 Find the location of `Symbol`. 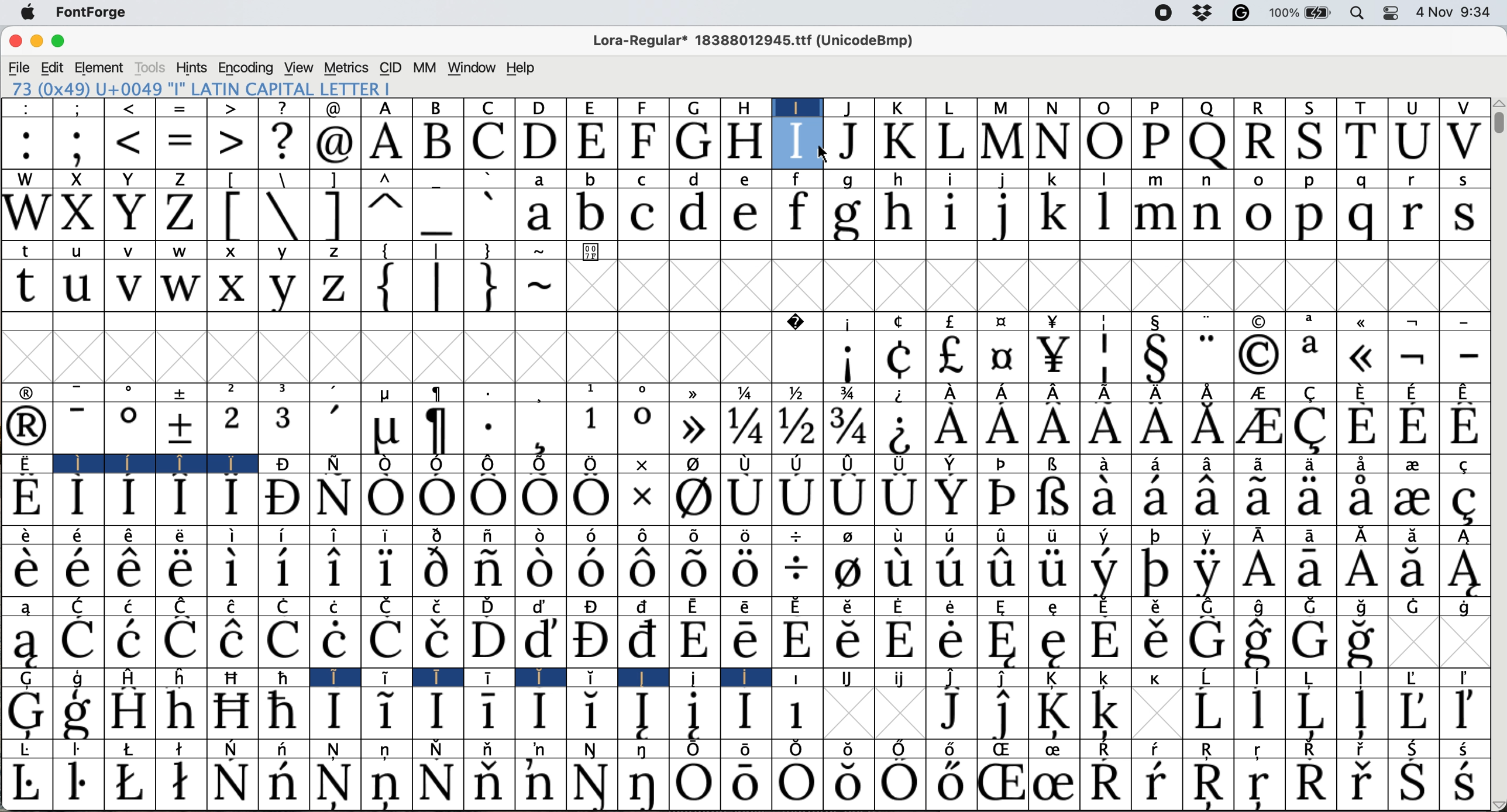

Symbol is located at coordinates (1415, 535).